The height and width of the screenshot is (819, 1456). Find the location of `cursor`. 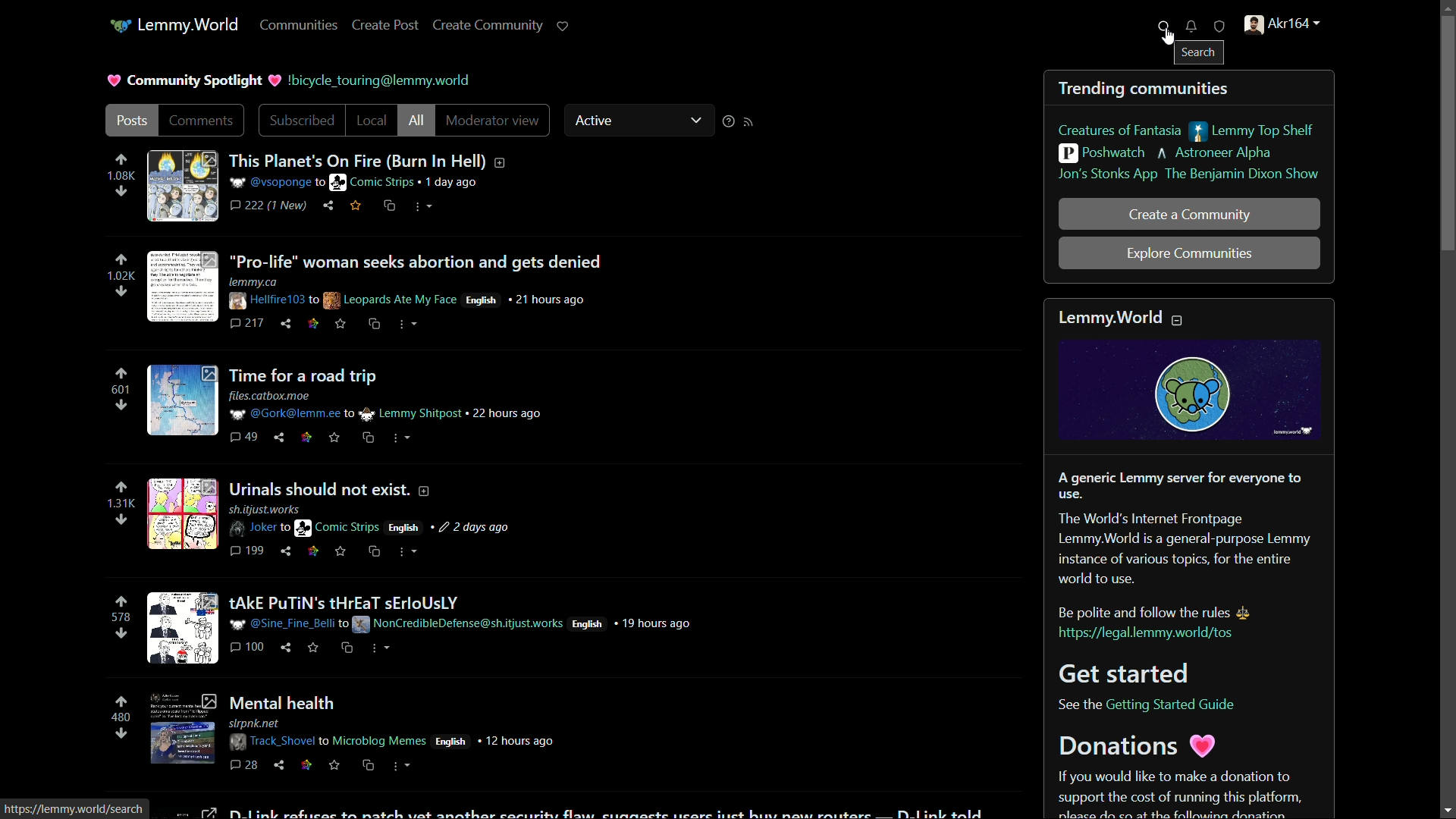

cursor is located at coordinates (1166, 40).